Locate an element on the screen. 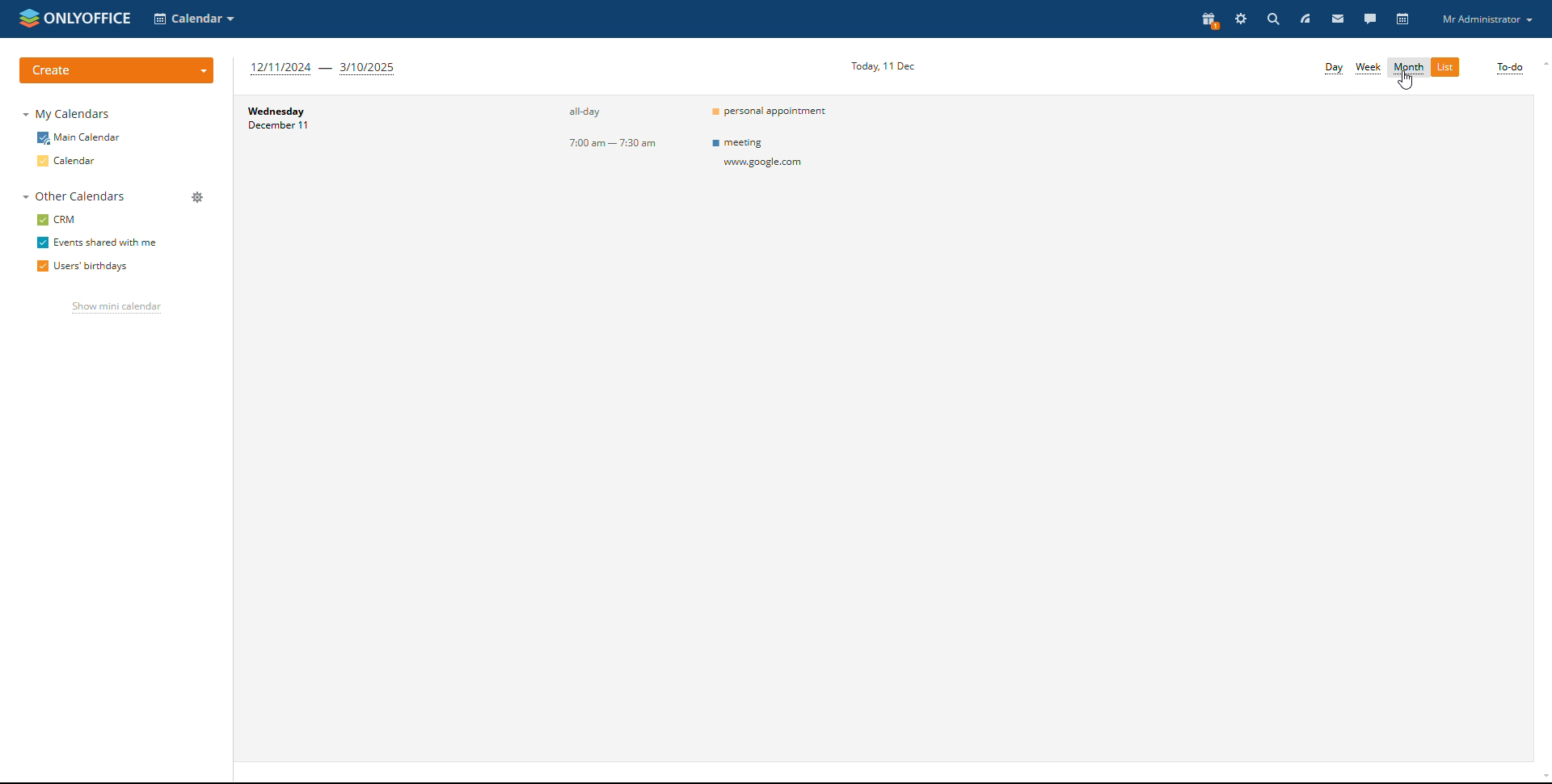 Image resolution: width=1552 pixels, height=784 pixels. show mini calendar is located at coordinates (116, 307).